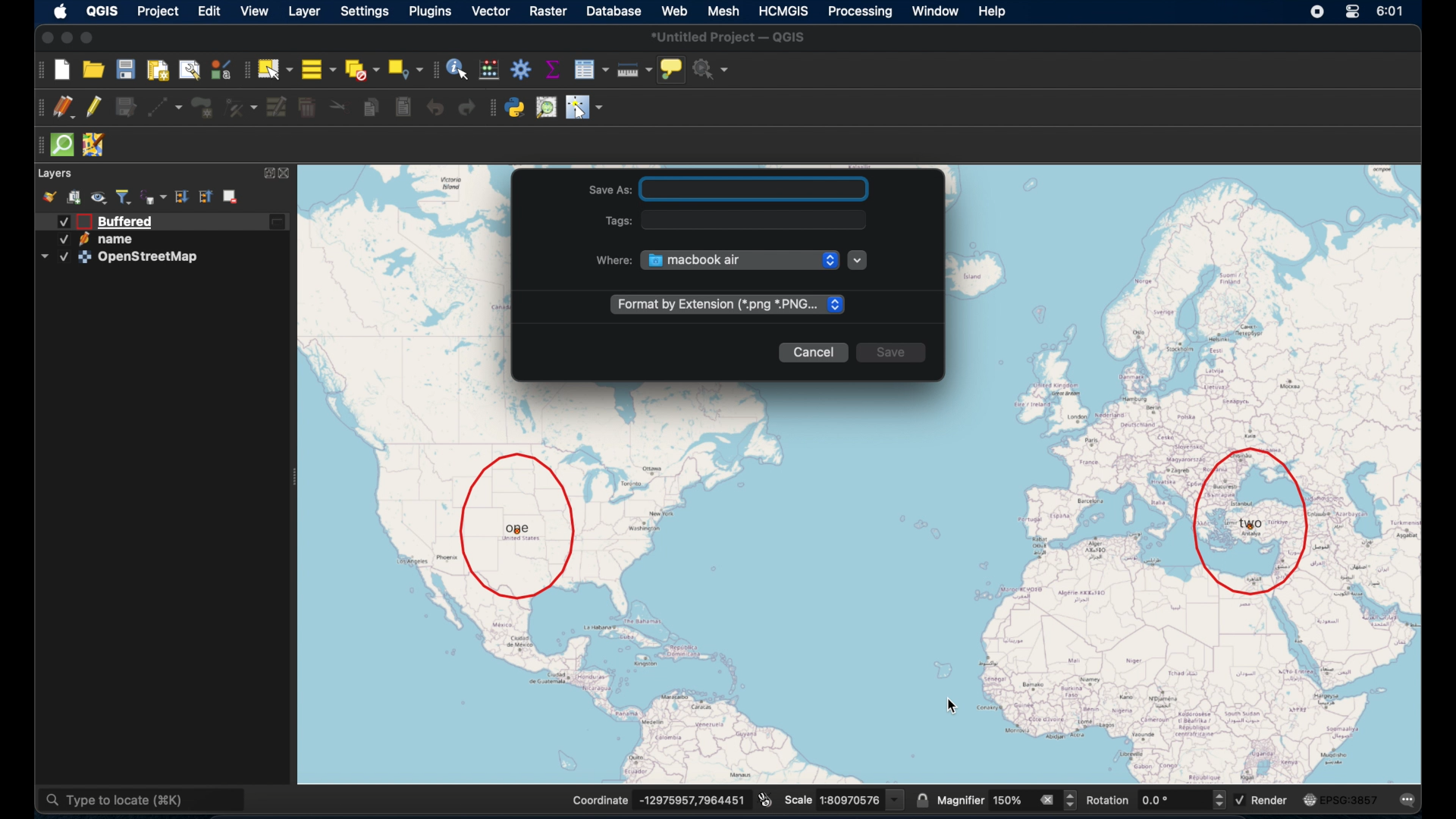  What do you see at coordinates (74, 197) in the screenshot?
I see `add group` at bounding box center [74, 197].